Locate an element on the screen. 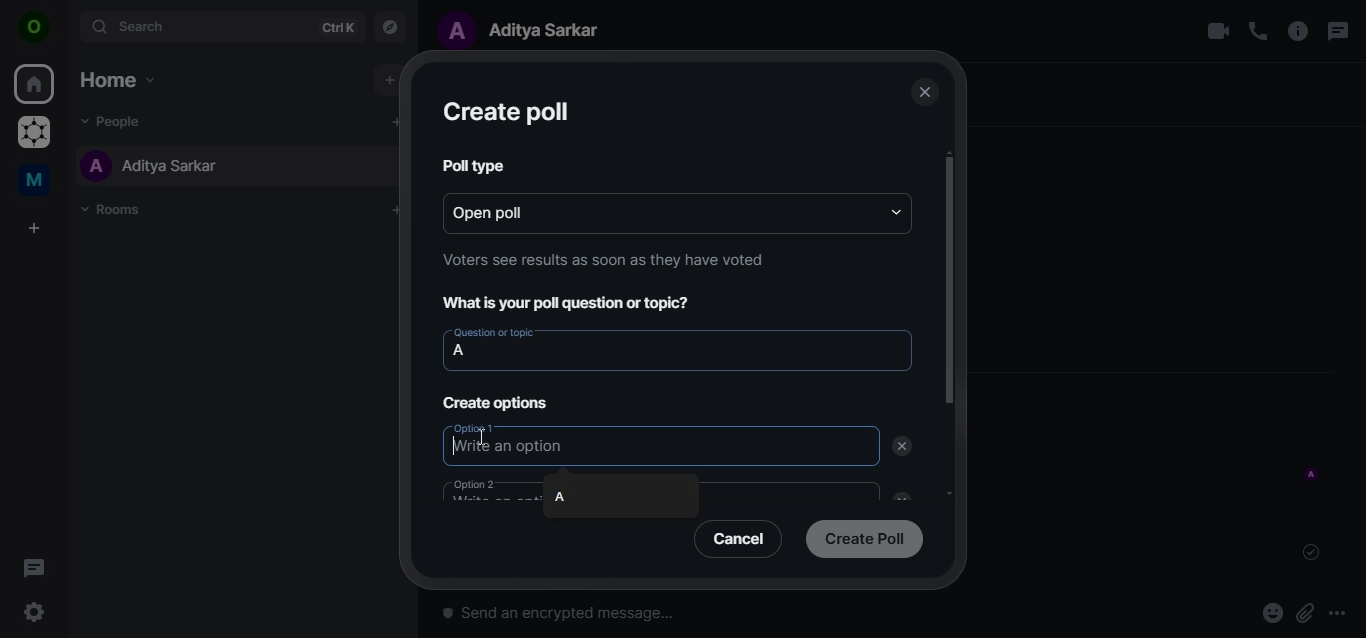  attachments is located at coordinates (1305, 614).